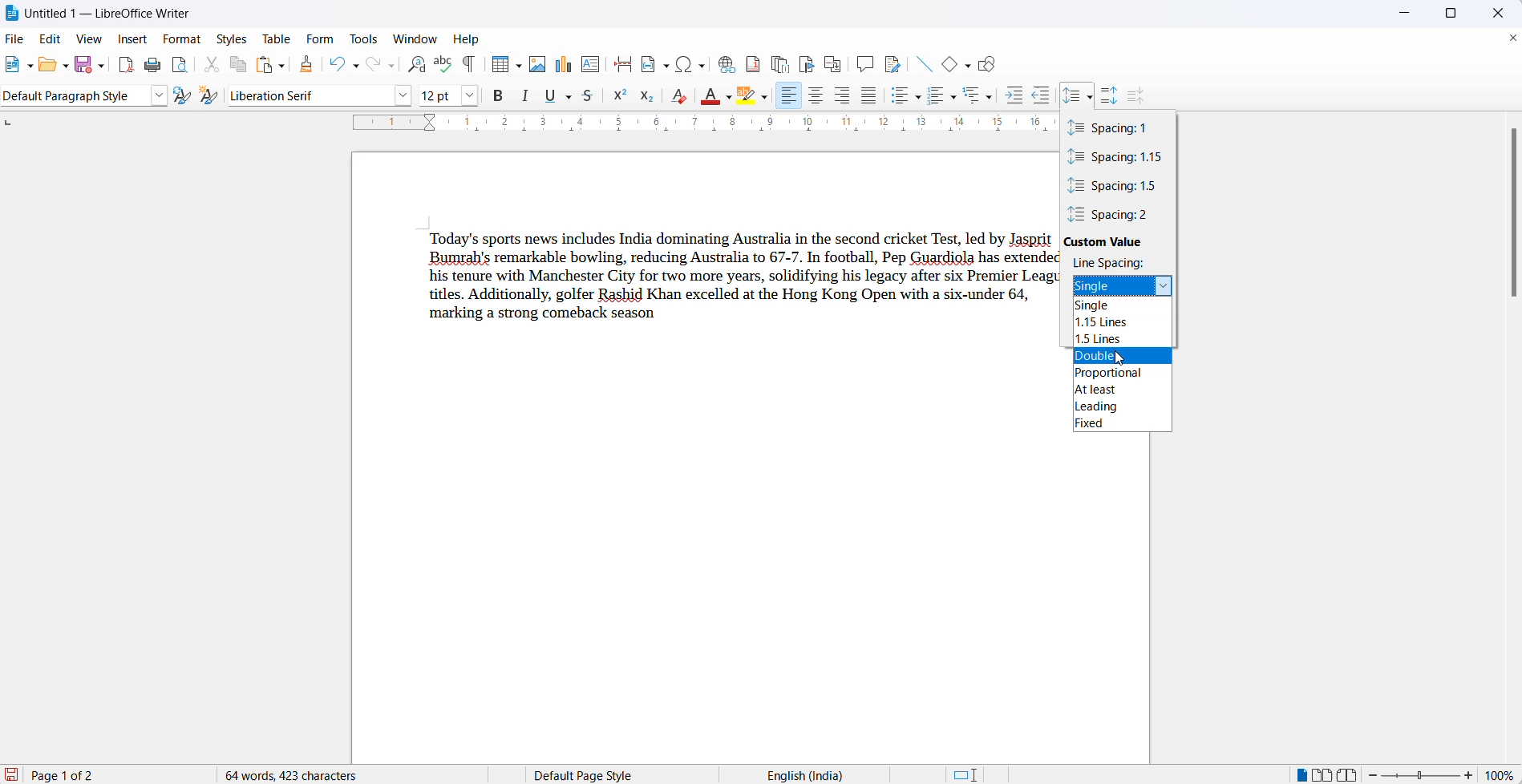 This screenshot has height=784, width=1522. I want to click on find and relace, so click(417, 66).